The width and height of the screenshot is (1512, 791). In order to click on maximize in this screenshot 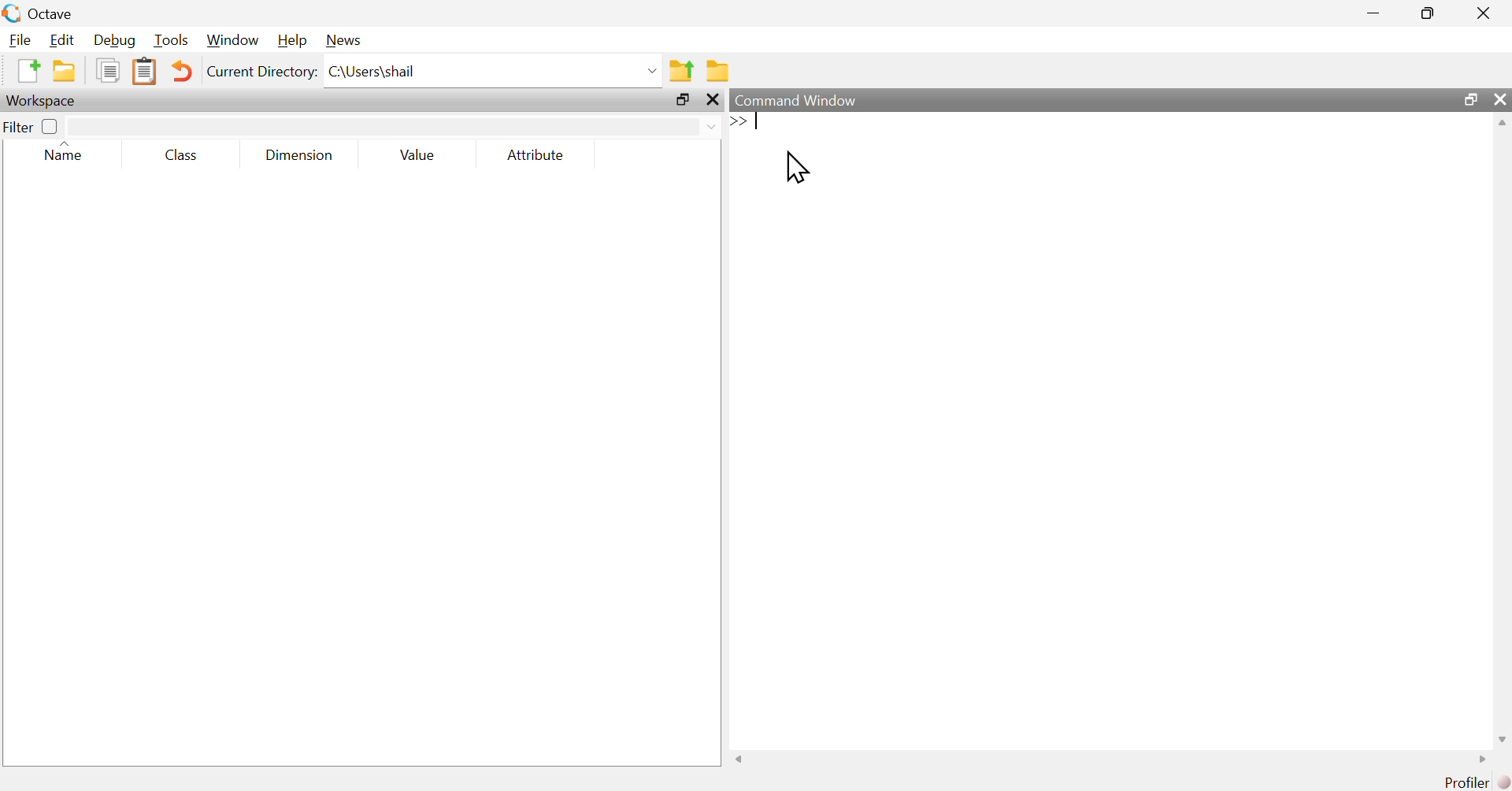, I will do `click(1471, 100)`.